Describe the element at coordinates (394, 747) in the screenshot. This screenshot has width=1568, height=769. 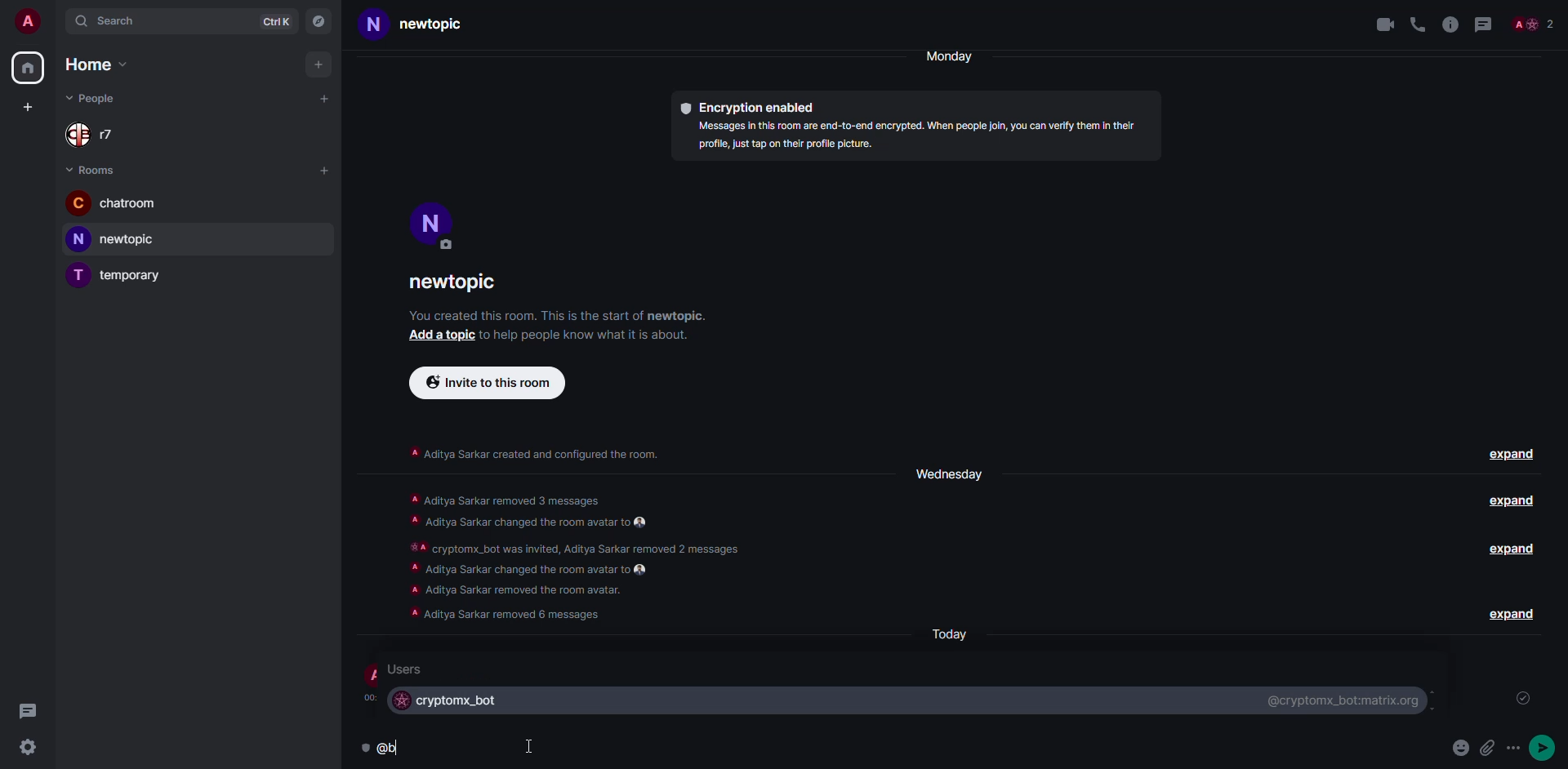
I see `@b` at that location.